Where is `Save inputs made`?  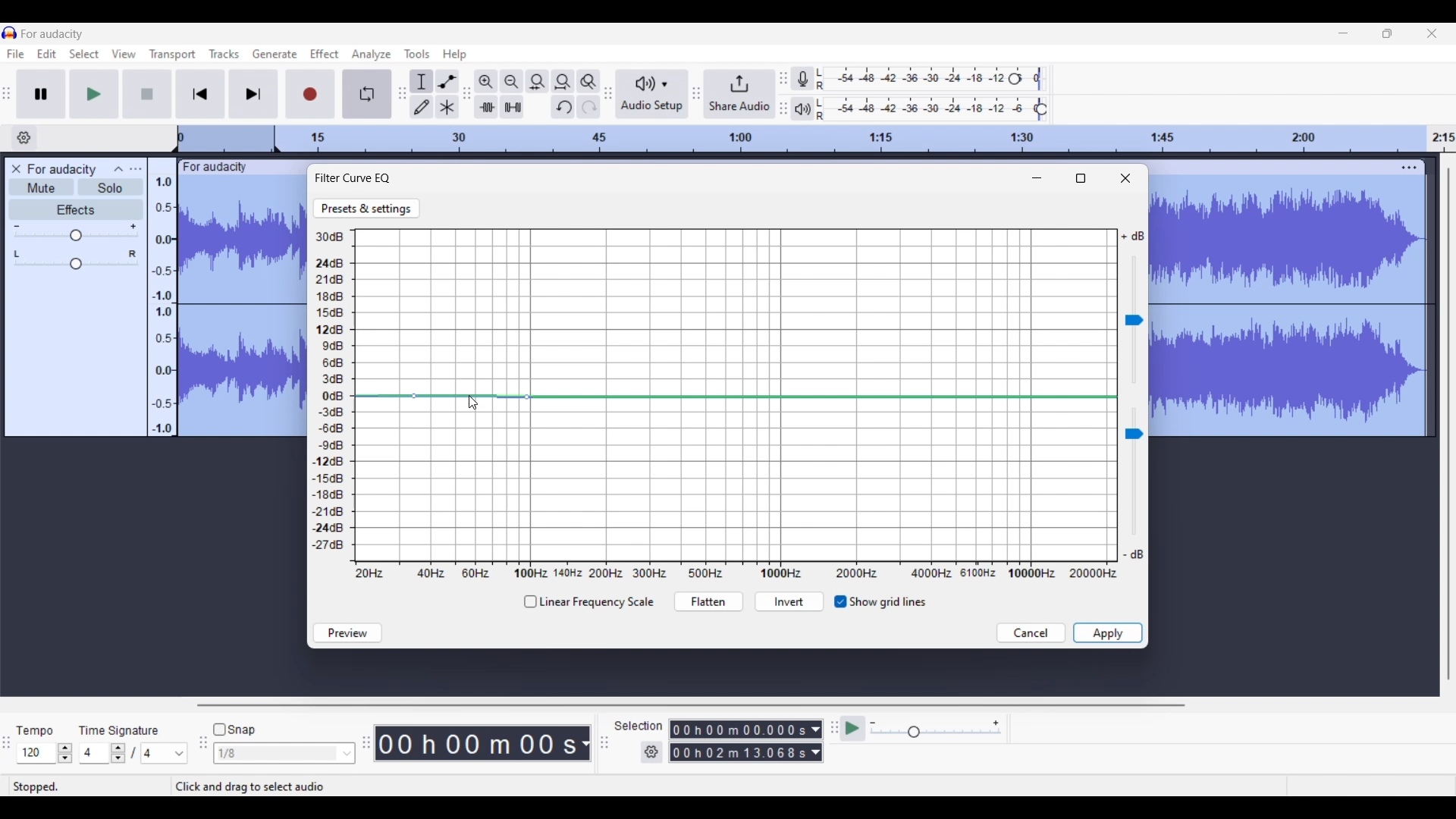 Save inputs made is located at coordinates (1108, 633).